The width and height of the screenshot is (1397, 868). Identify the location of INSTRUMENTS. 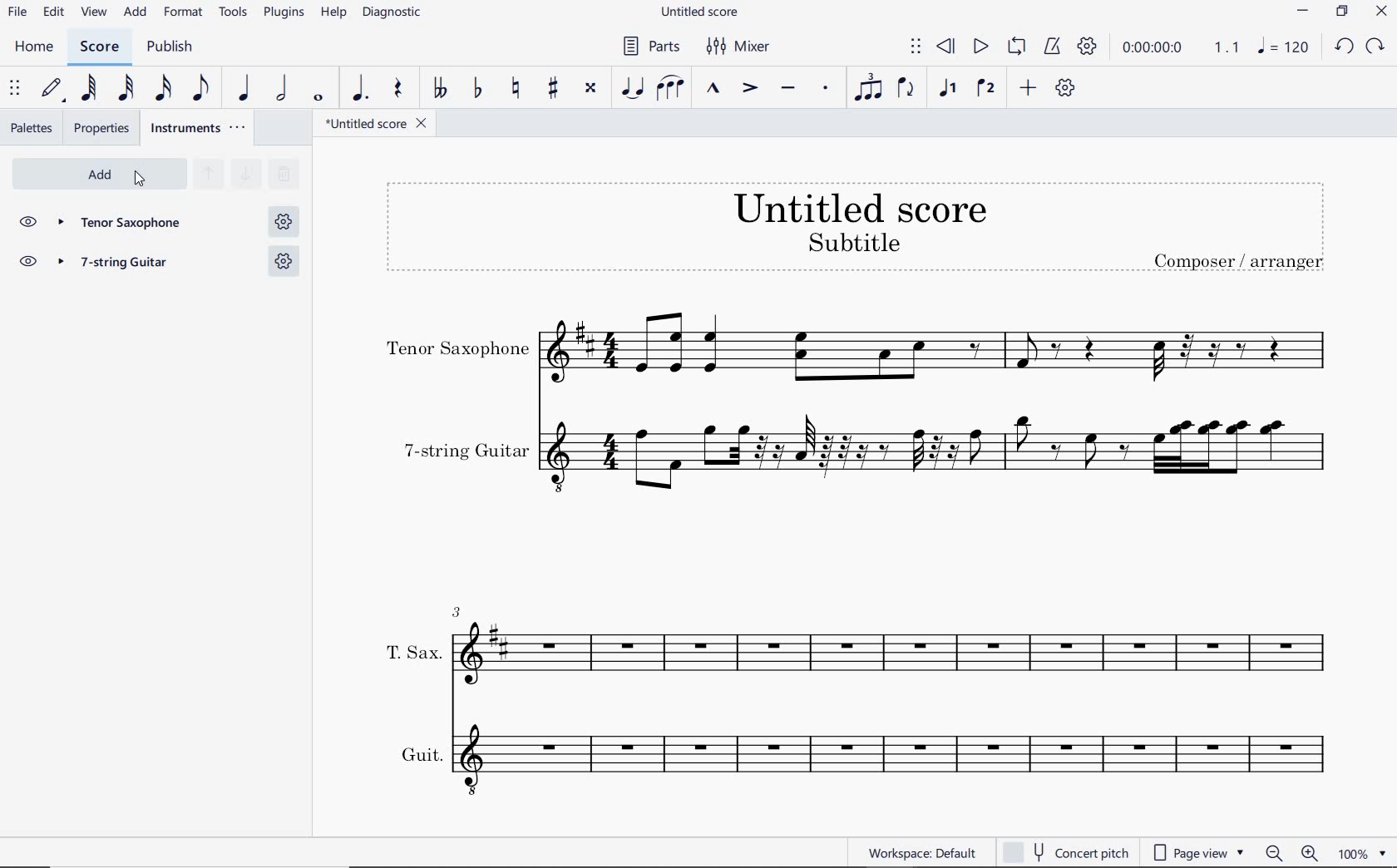
(200, 127).